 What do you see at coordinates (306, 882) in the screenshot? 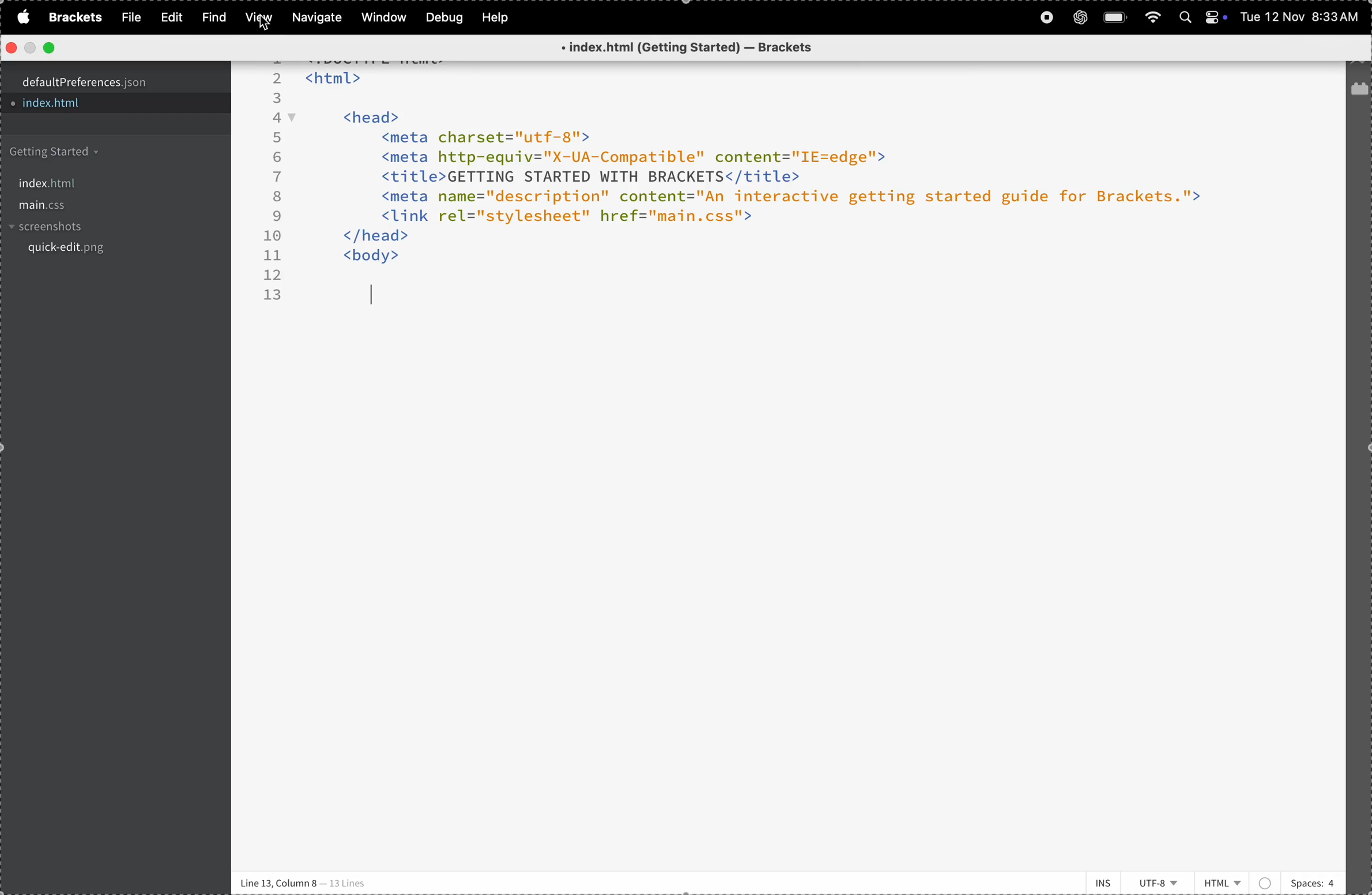
I see `line and column - 13 lines` at bounding box center [306, 882].